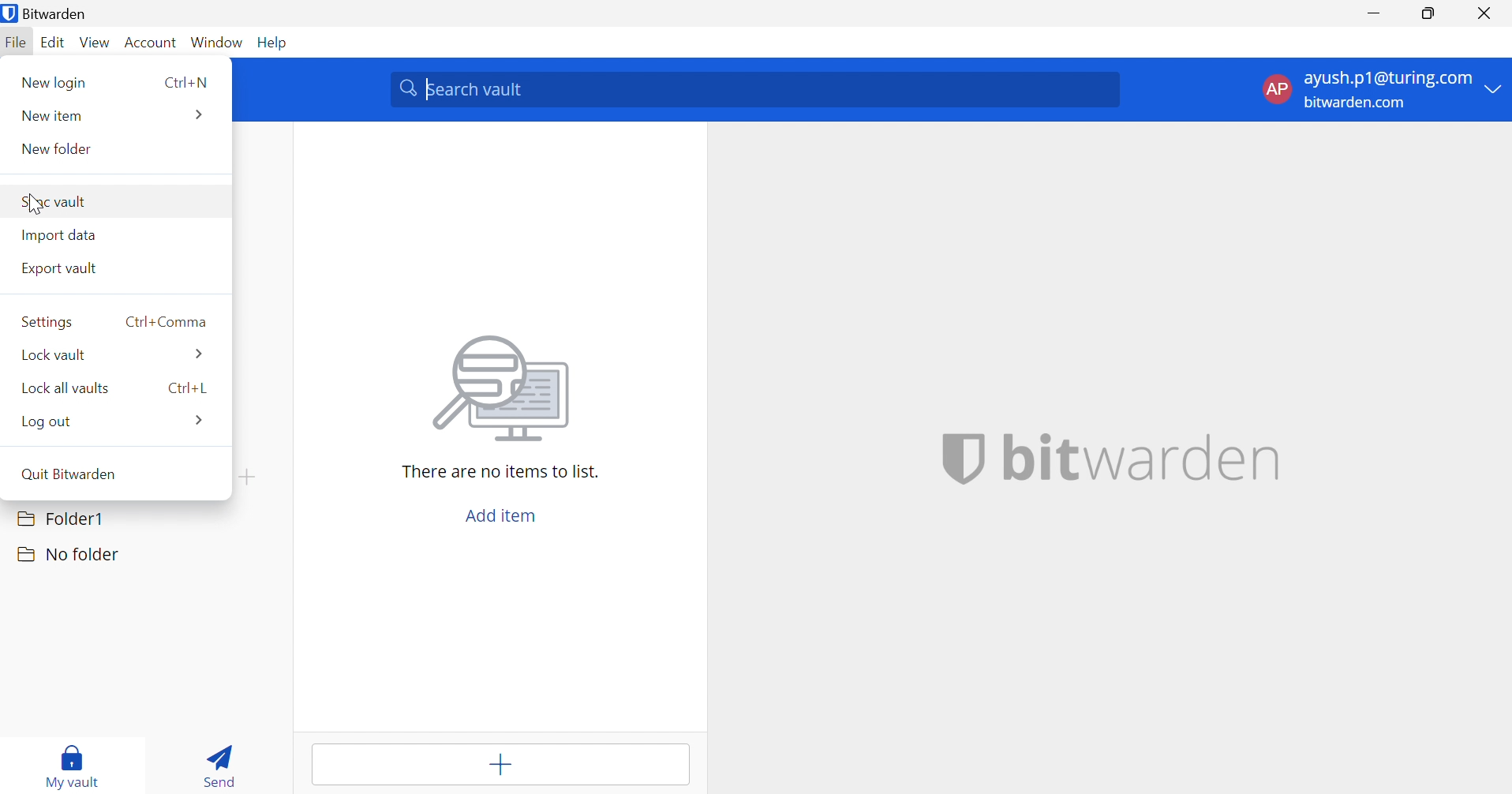  I want to click on Sync Vault, so click(58, 201).